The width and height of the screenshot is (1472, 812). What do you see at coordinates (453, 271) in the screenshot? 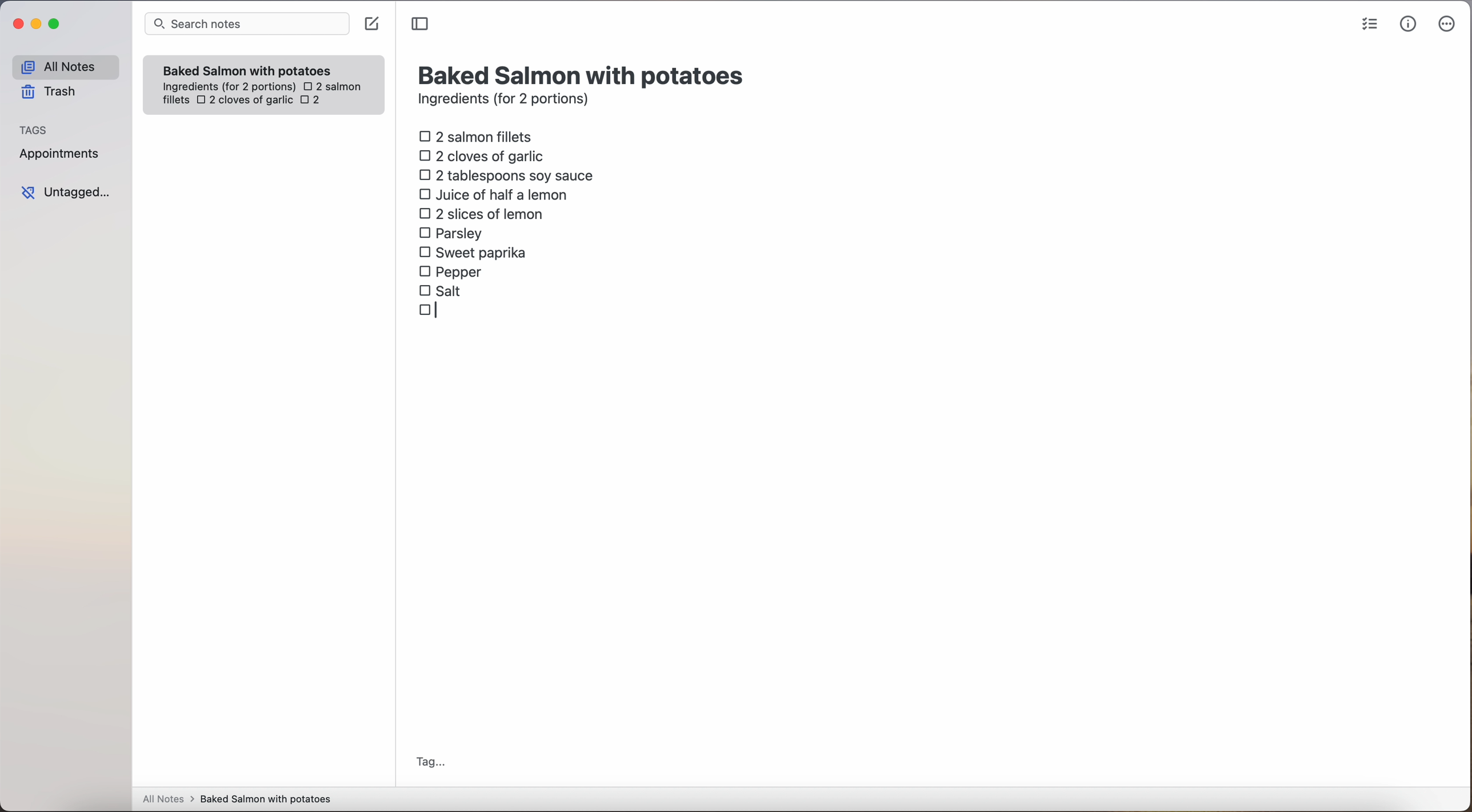
I see `pepper` at bounding box center [453, 271].